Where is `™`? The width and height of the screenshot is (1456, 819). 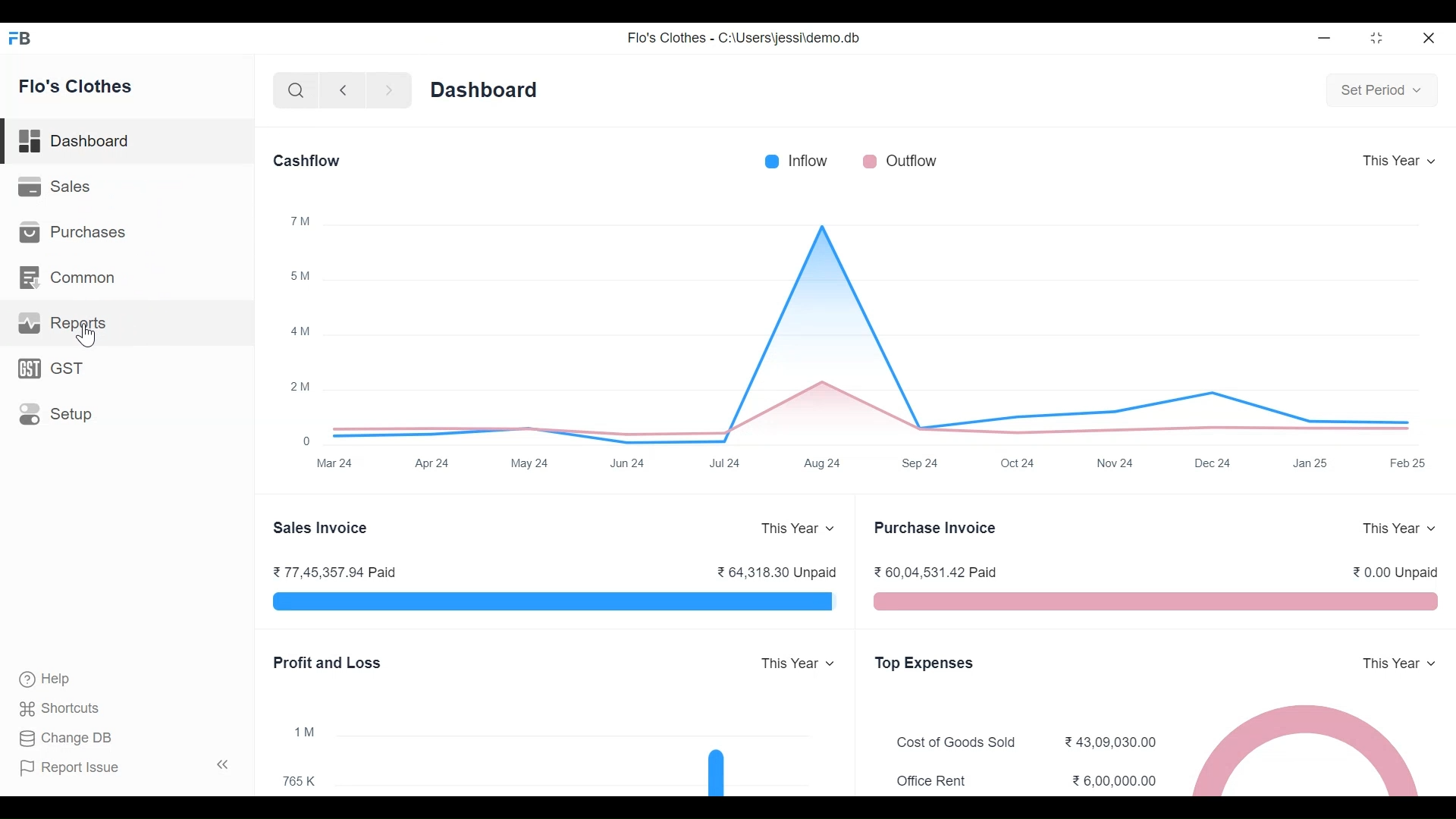
™ is located at coordinates (301, 221).